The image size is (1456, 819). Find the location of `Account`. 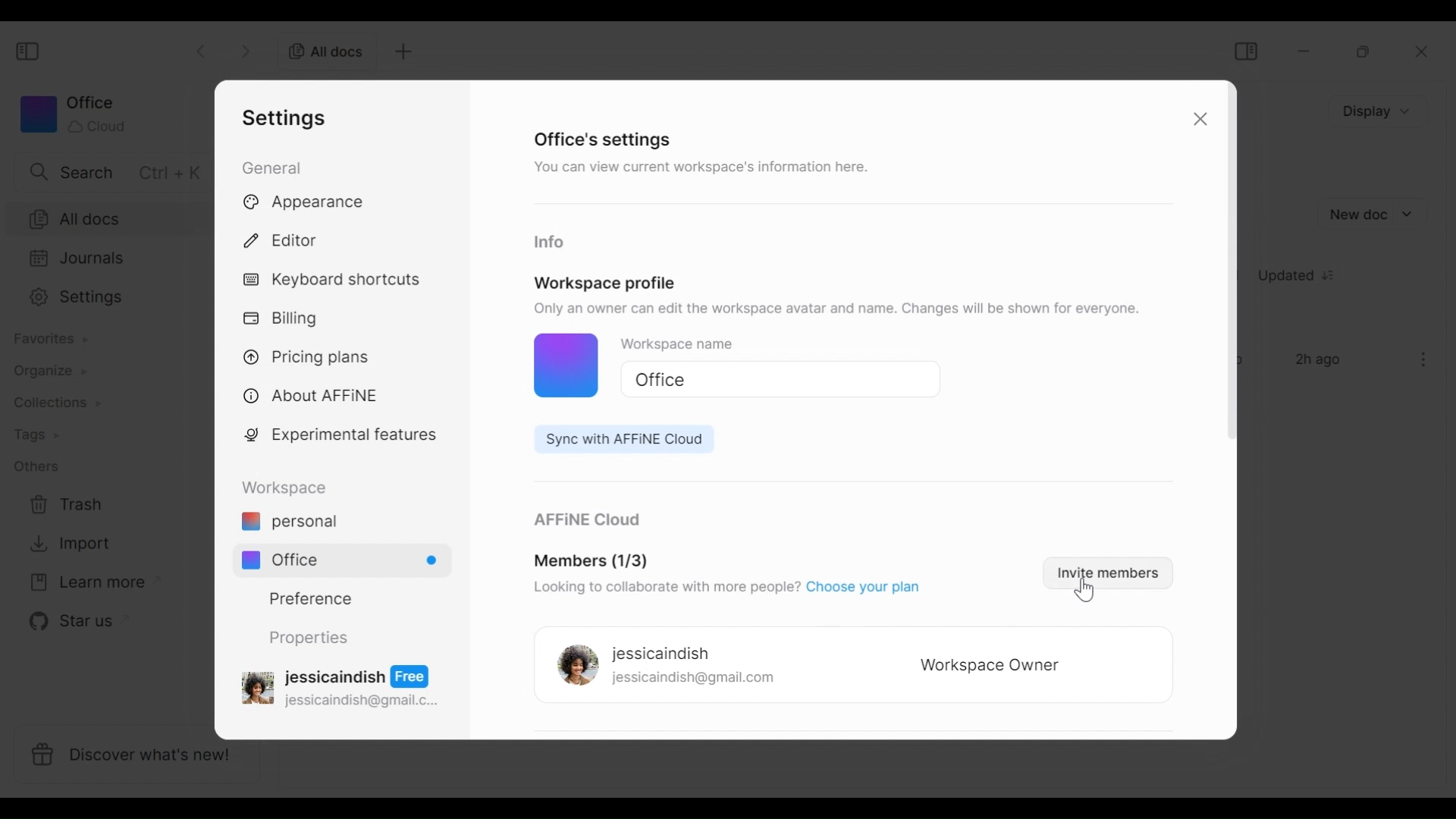

Account is located at coordinates (344, 685).